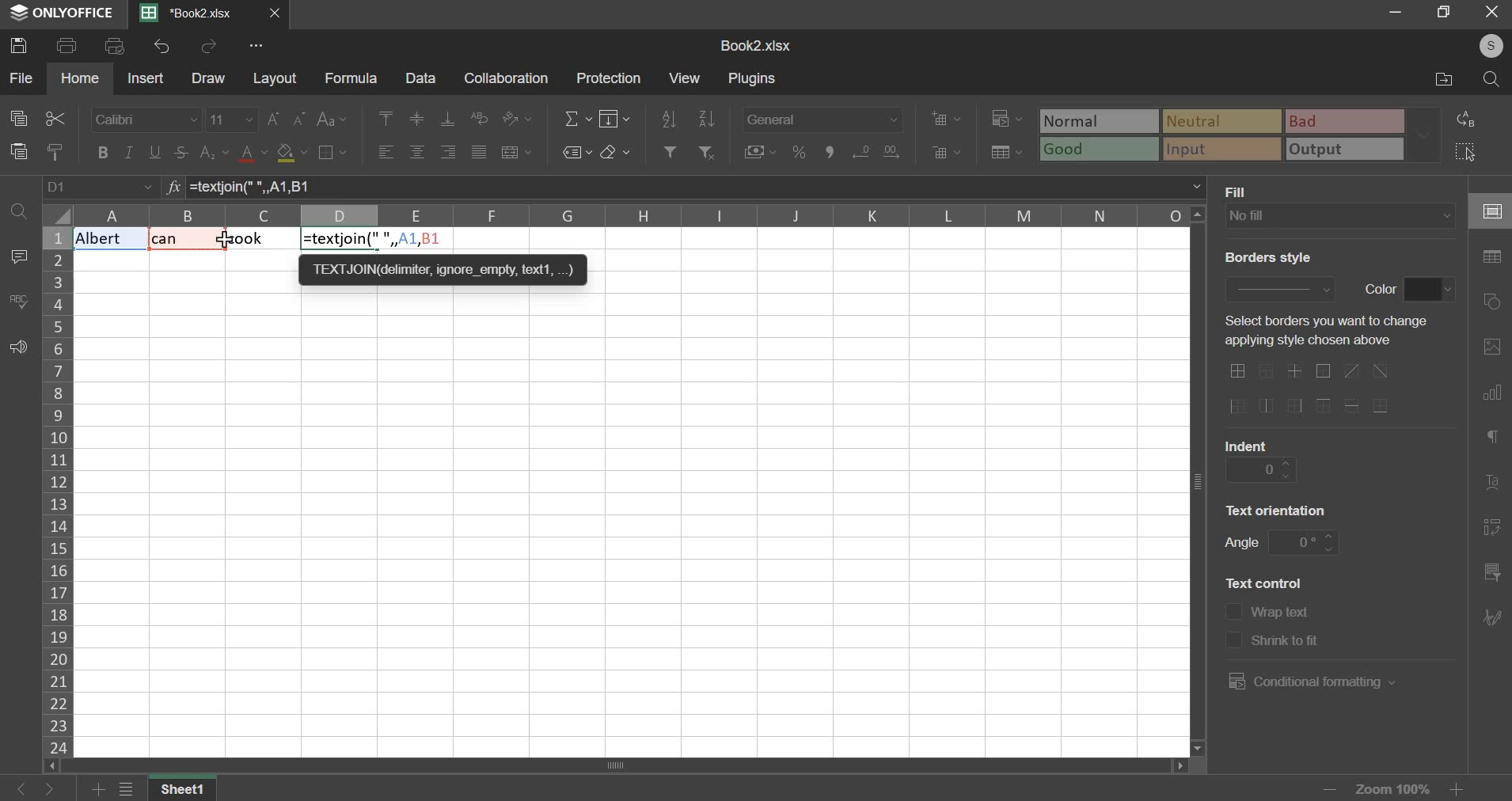 Image resolution: width=1512 pixels, height=801 pixels. What do you see at coordinates (706, 118) in the screenshot?
I see `sort descending` at bounding box center [706, 118].